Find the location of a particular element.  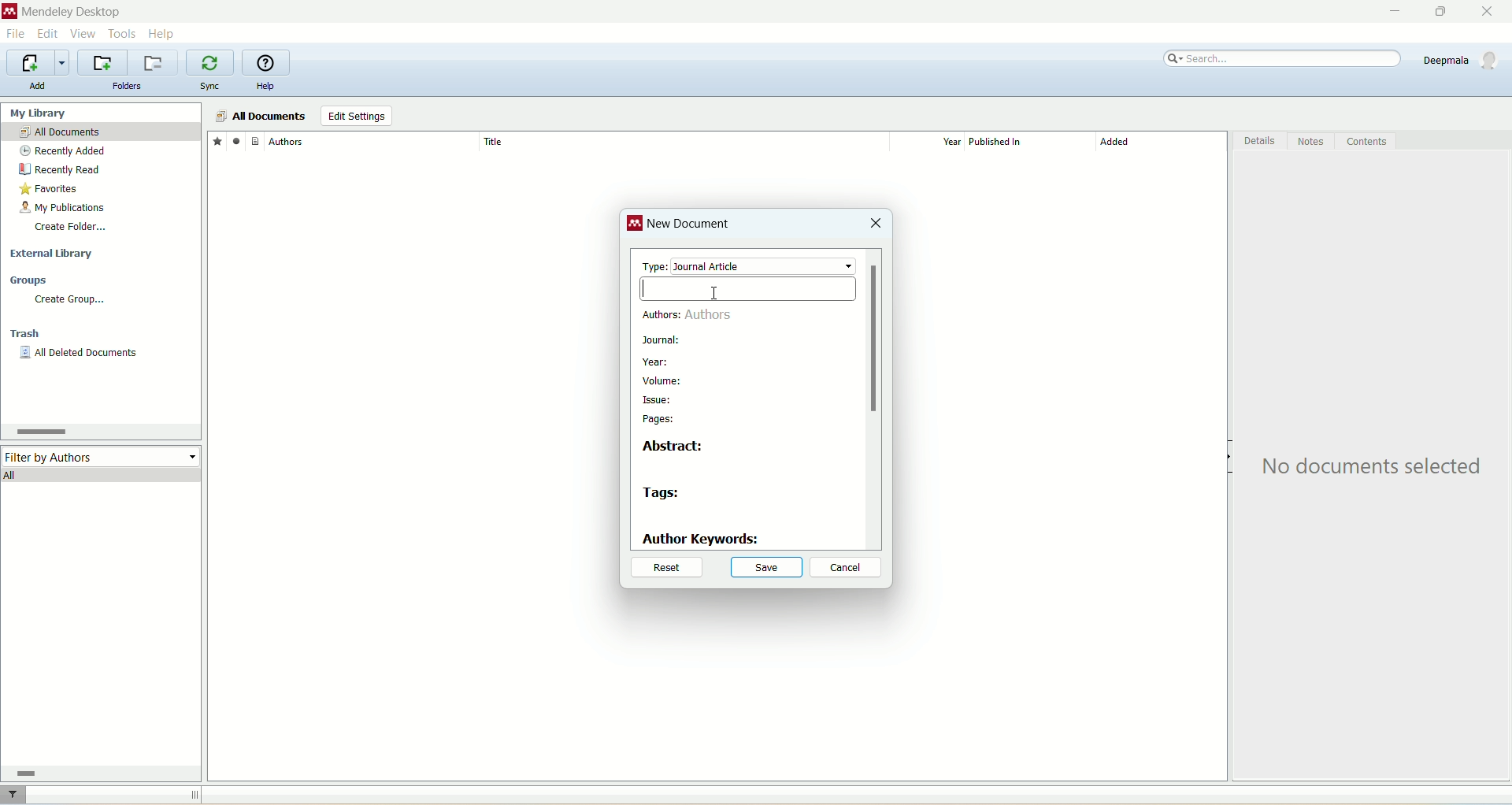

abstract is located at coordinates (678, 446).